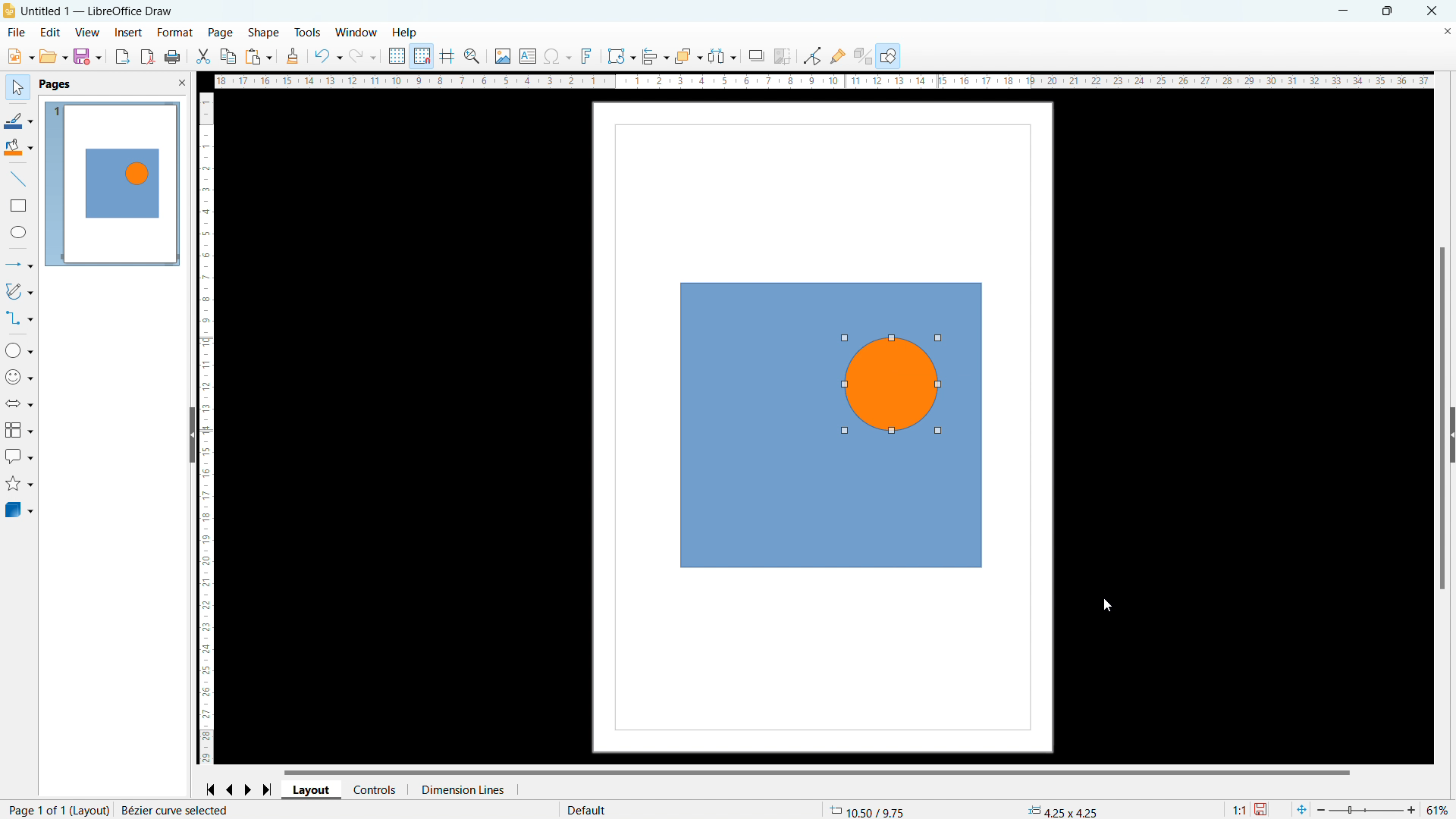 Image resolution: width=1456 pixels, height=819 pixels. What do you see at coordinates (1388, 11) in the screenshot?
I see `maximize` at bounding box center [1388, 11].